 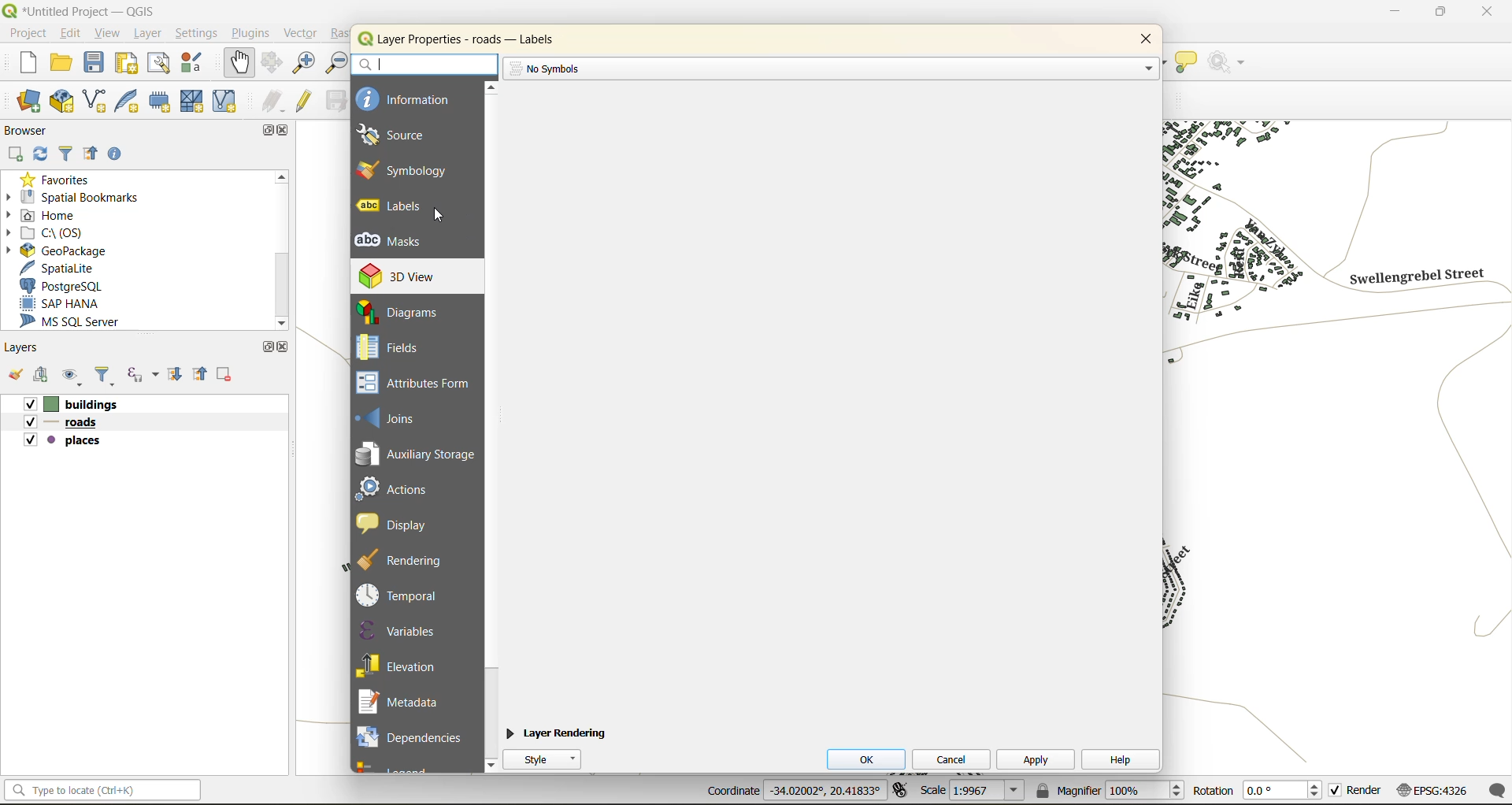 What do you see at coordinates (1440, 15) in the screenshot?
I see `maximize` at bounding box center [1440, 15].